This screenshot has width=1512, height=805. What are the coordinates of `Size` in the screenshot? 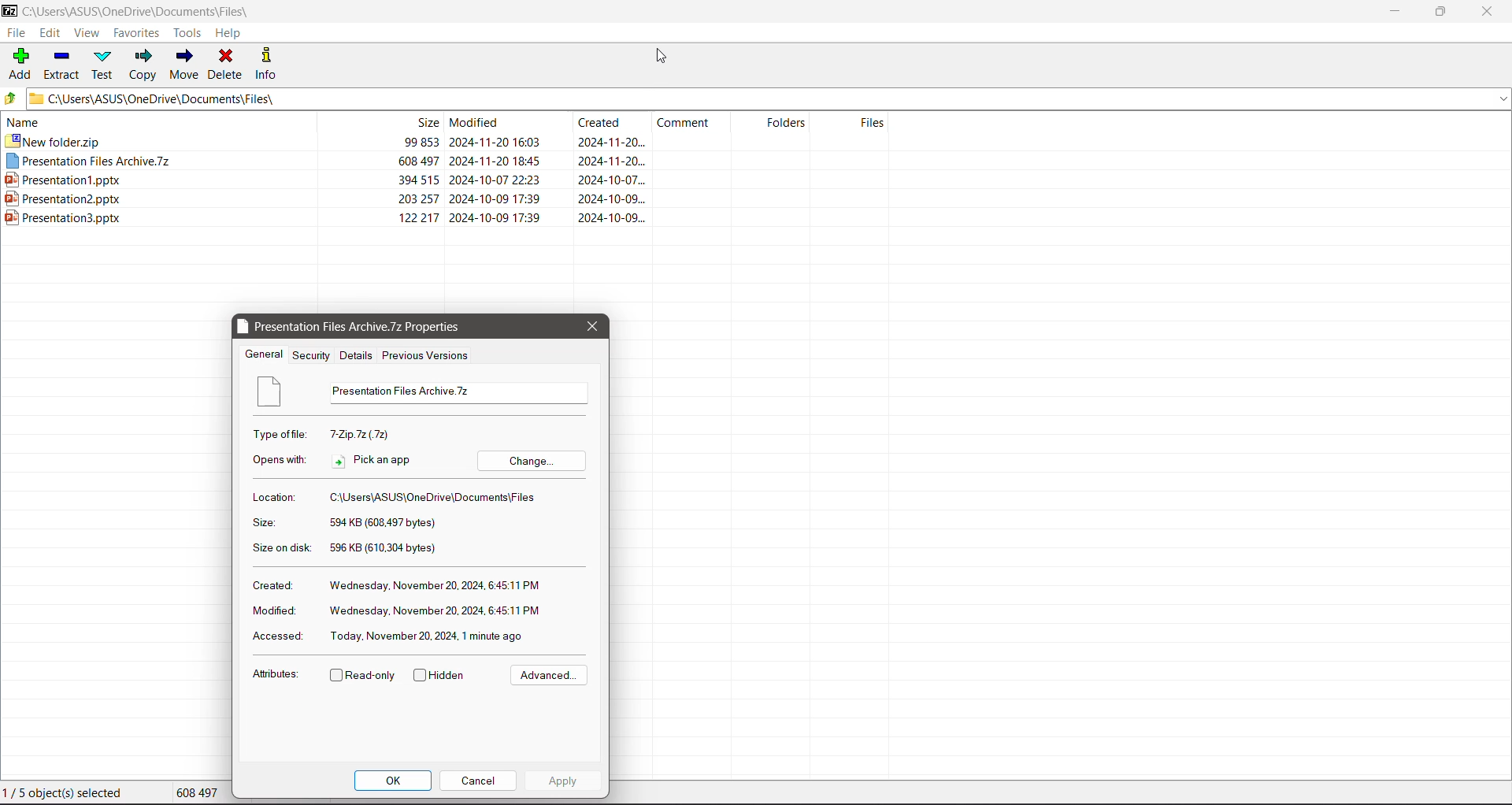 It's located at (381, 122).